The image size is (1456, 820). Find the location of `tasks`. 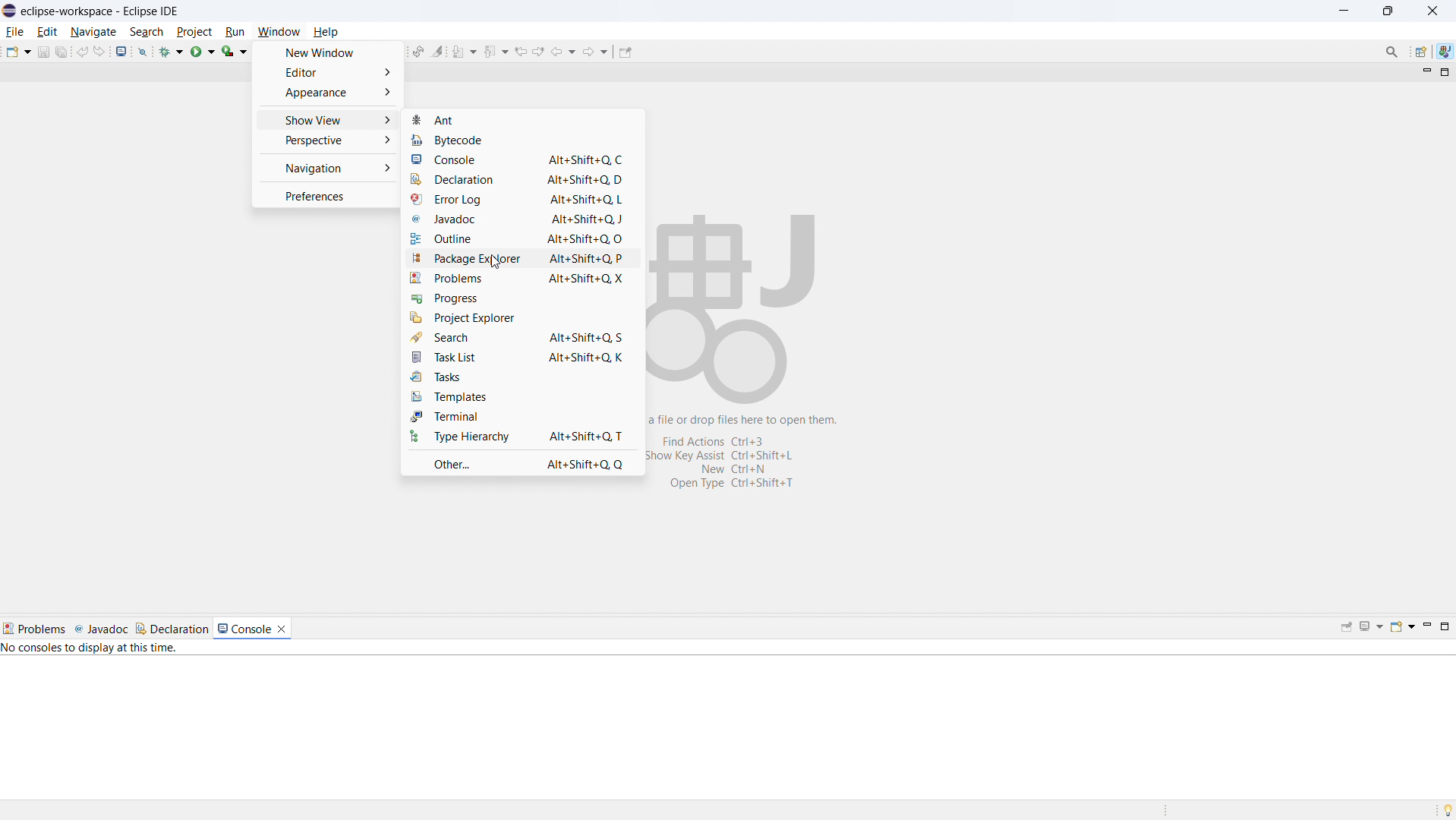

tasks is located at coordinates (522, 377).